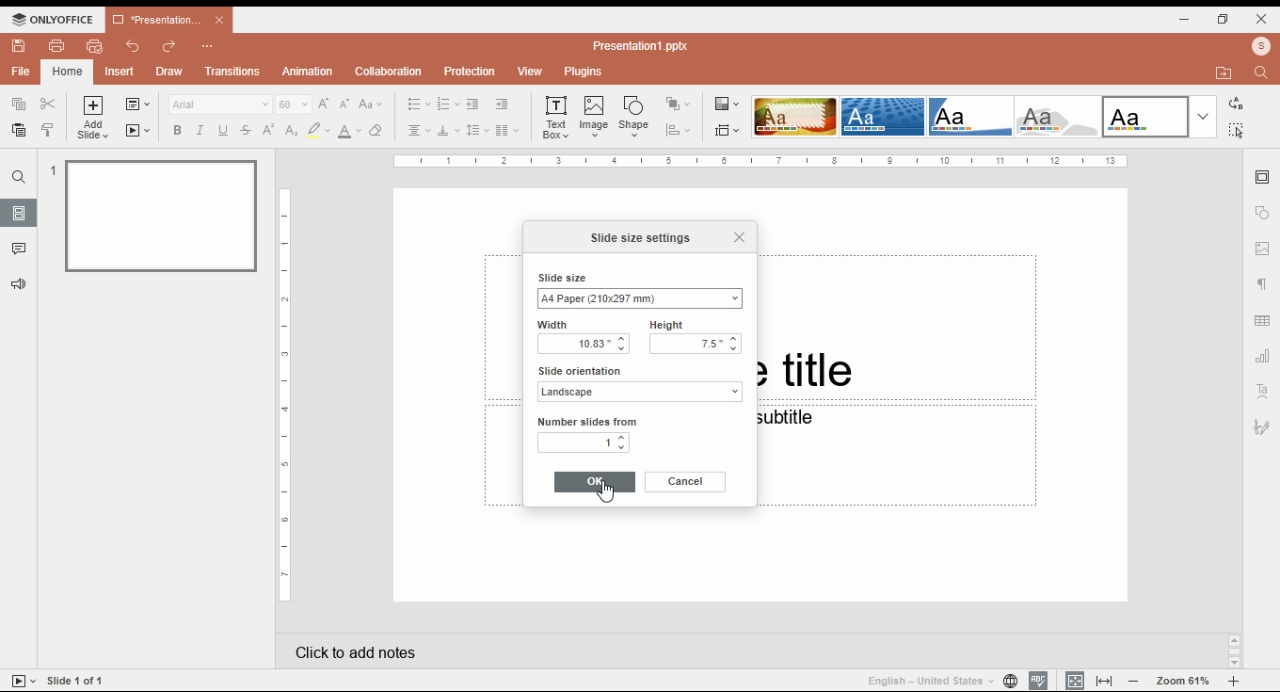 The height and width of the screenshot is (692, 1280). What do you see at coordinates (120, 72) in the screenshot?
I see `insert` at bounding box center [120, 72].